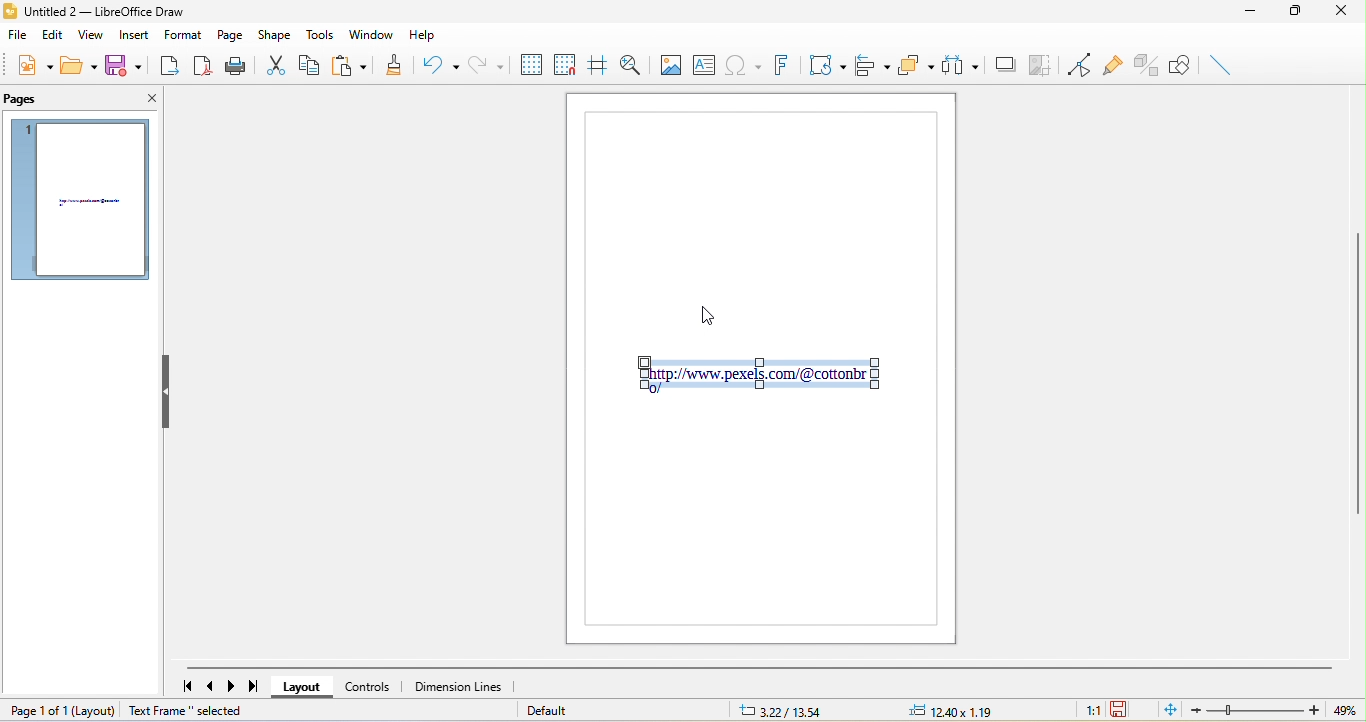 The height and width of the screenshot is (722, 1366). I want to click on controls, so click(373, 688).